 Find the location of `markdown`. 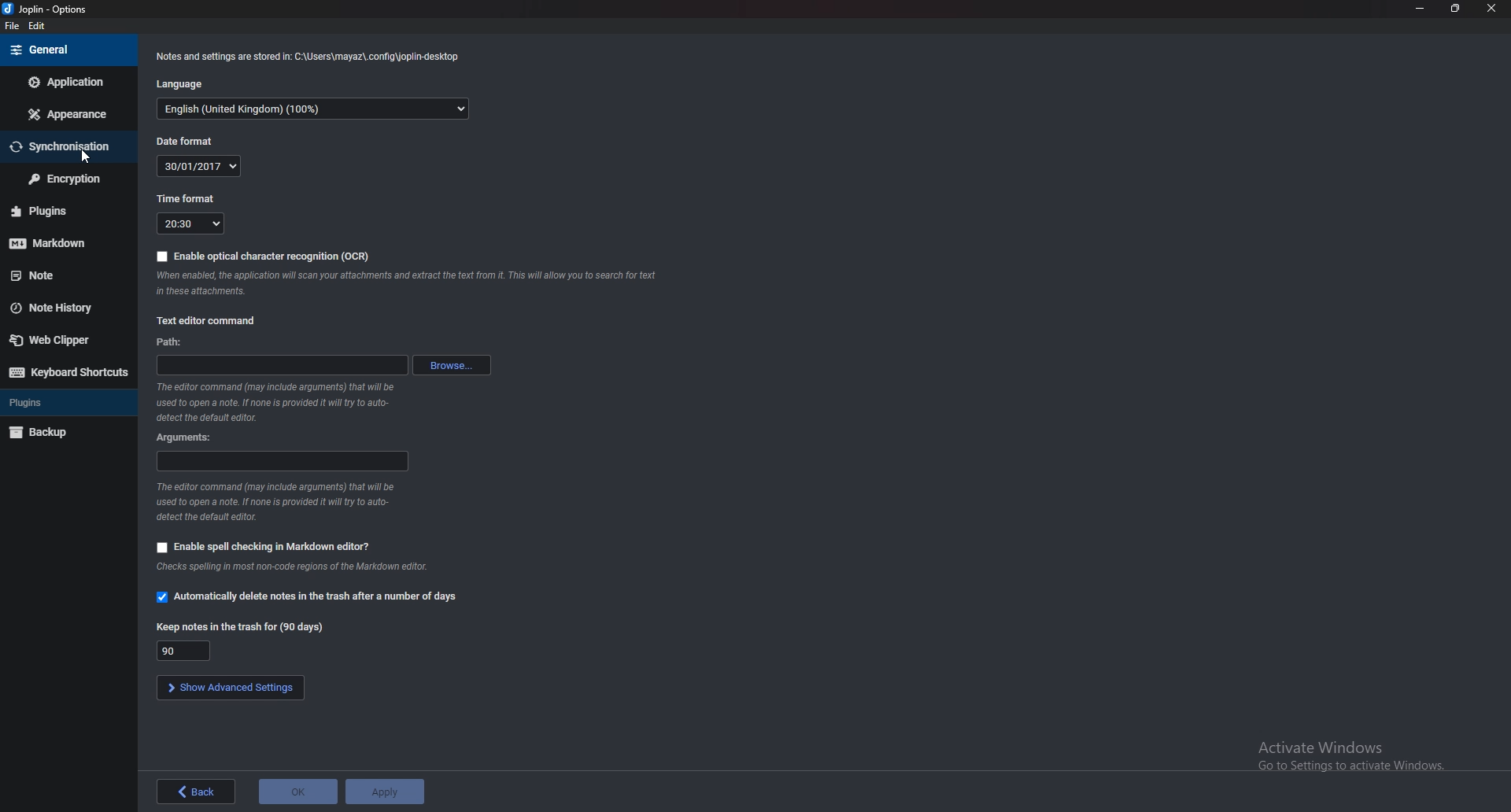

markdown is located at coordinates (61, 244).